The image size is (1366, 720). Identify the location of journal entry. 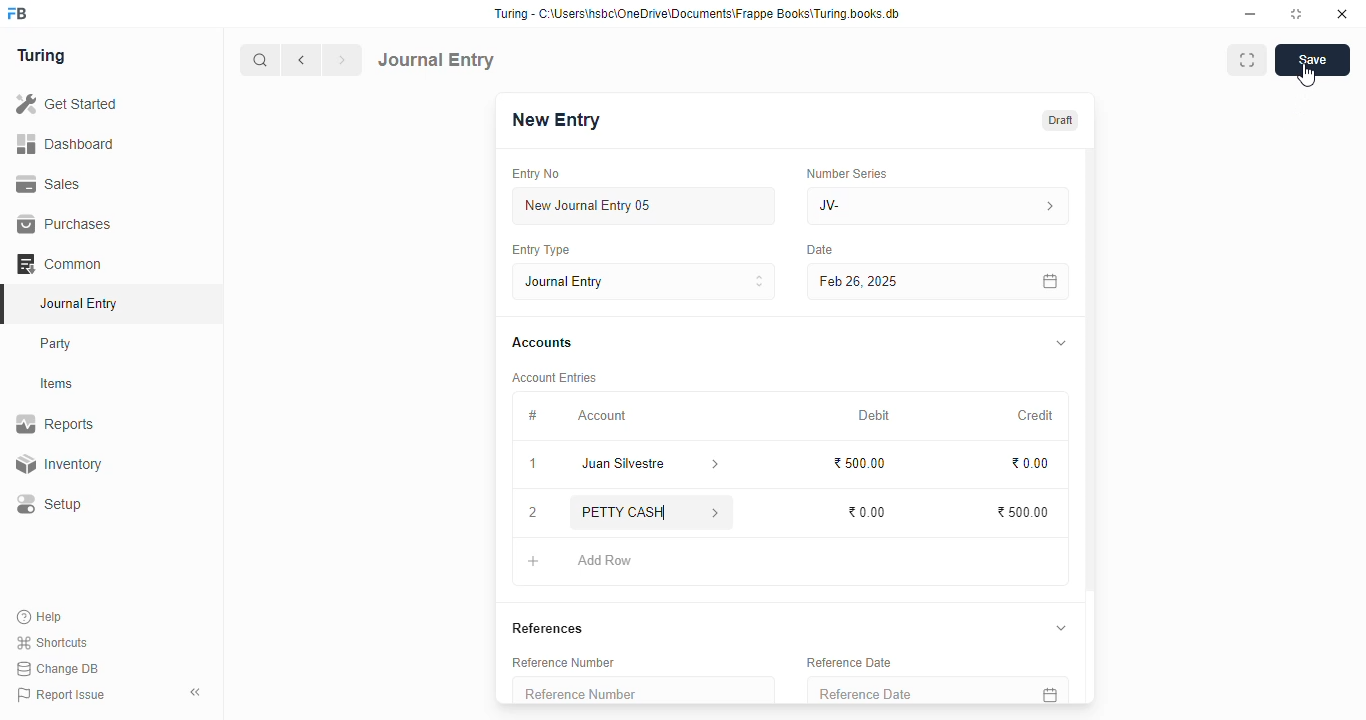
(645, 281).